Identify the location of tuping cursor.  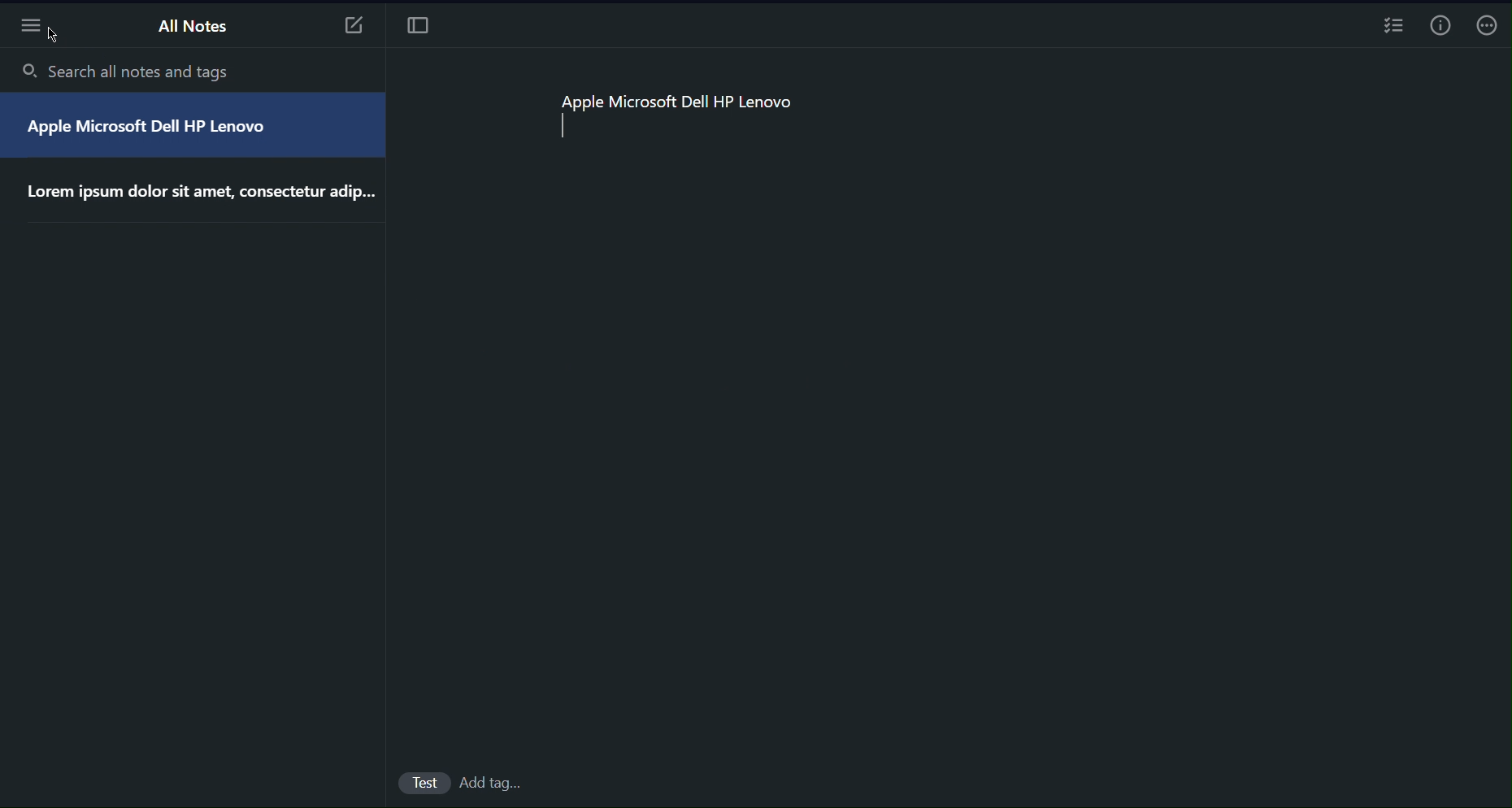
(554, 127).